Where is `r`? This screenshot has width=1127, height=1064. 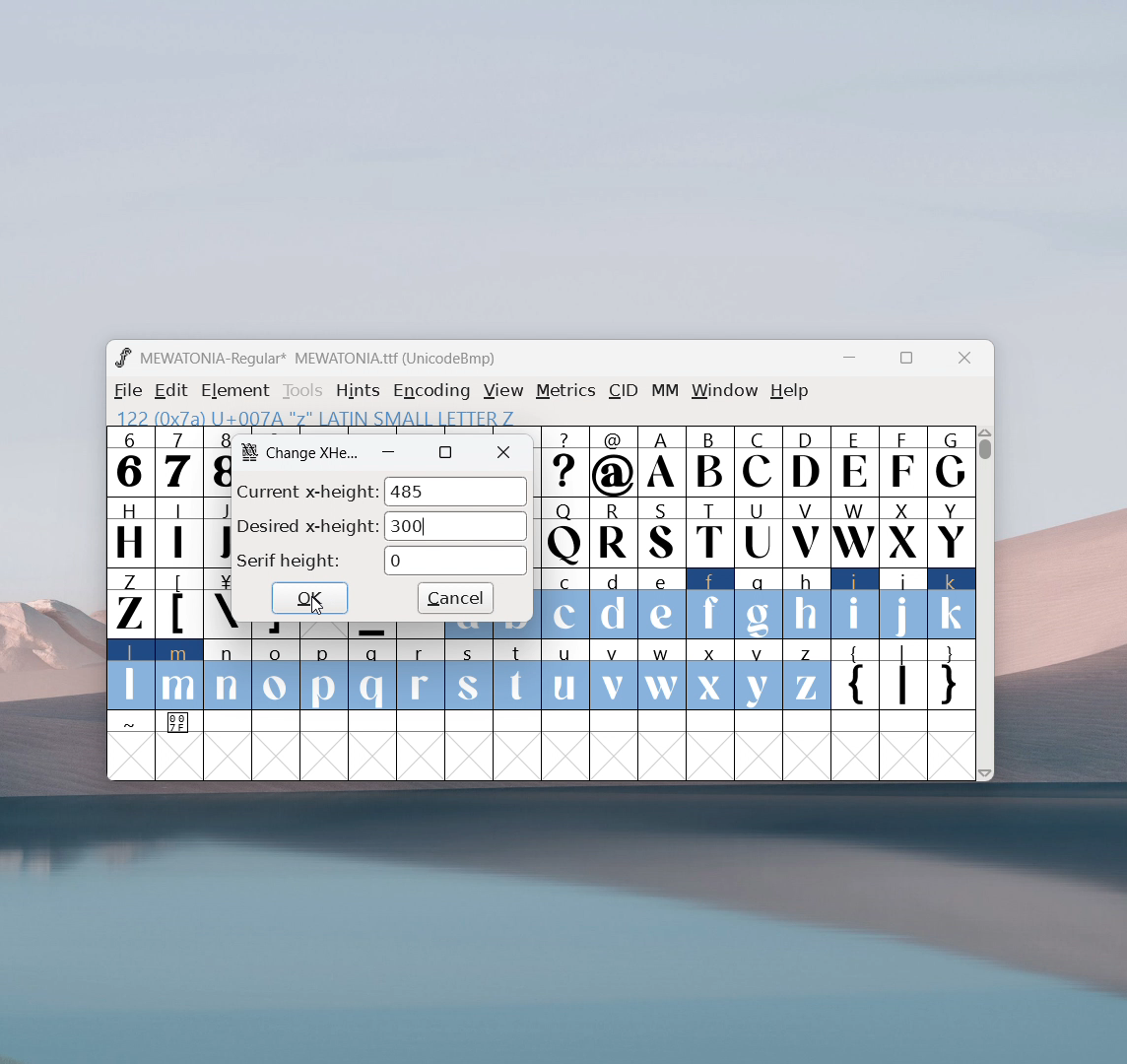 r is located at coordinates (420, 676).